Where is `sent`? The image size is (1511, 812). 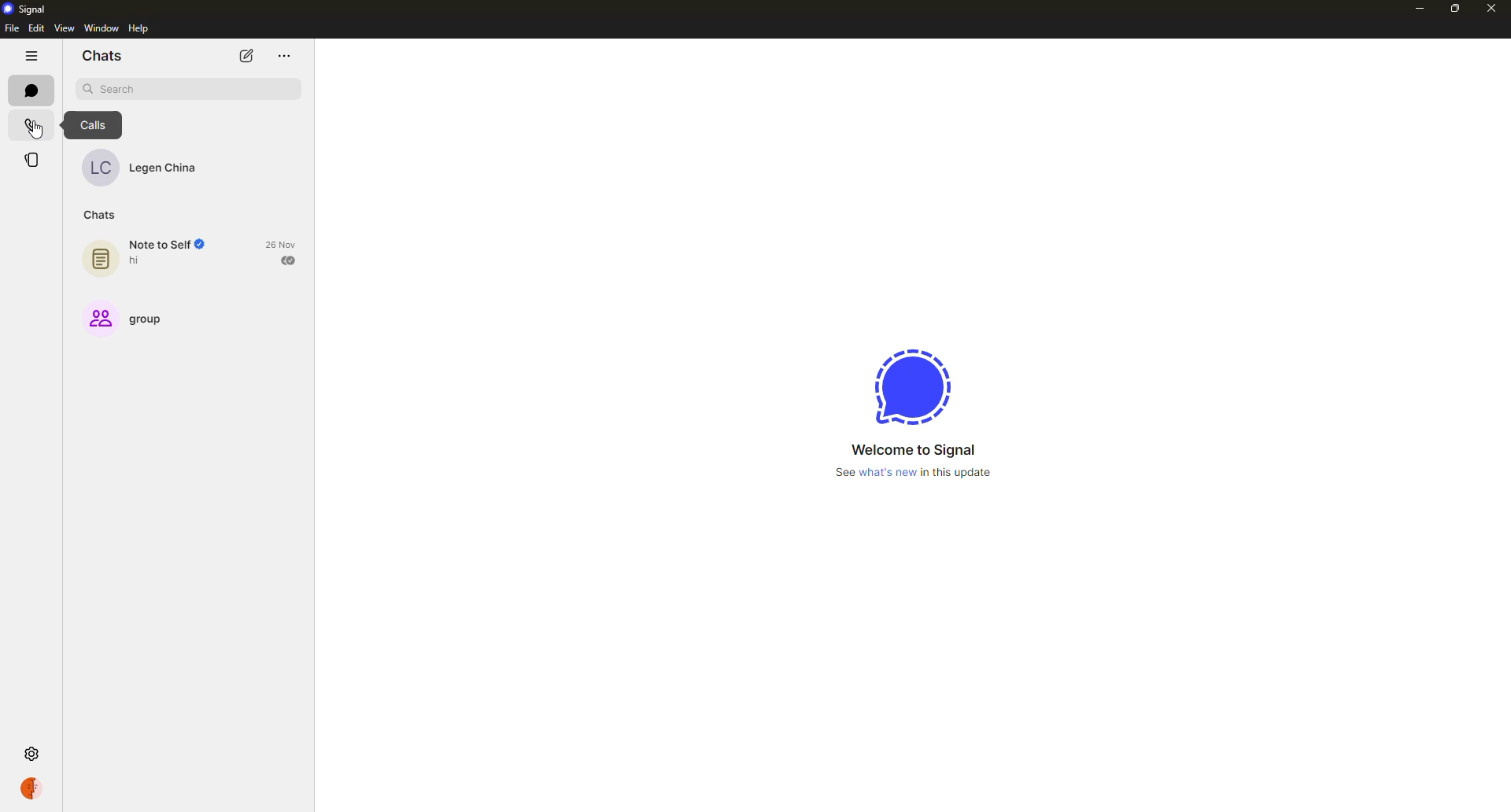 sent is located at coordinates (291, 260).